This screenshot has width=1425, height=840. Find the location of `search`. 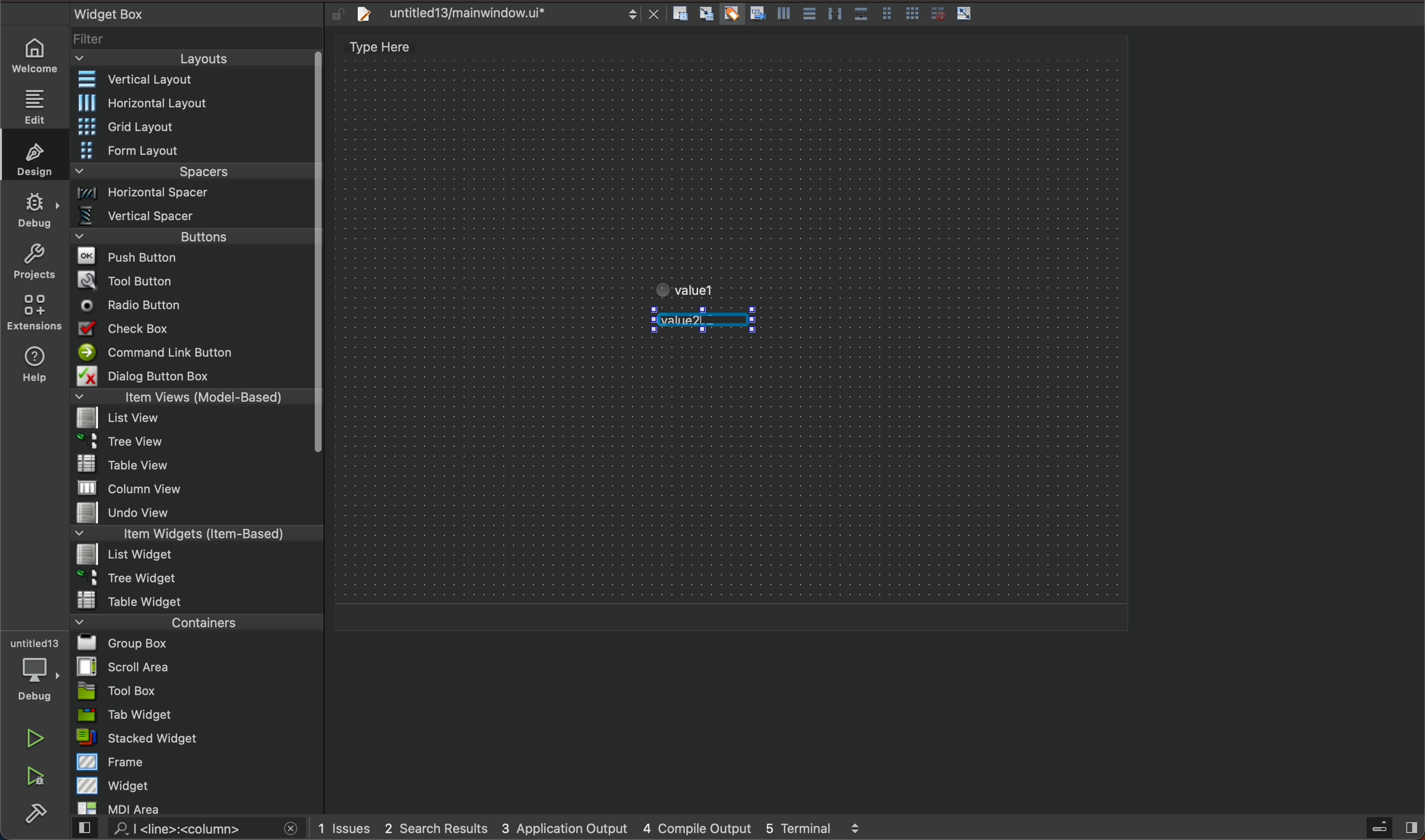

search is located at coordinates (183, 829).